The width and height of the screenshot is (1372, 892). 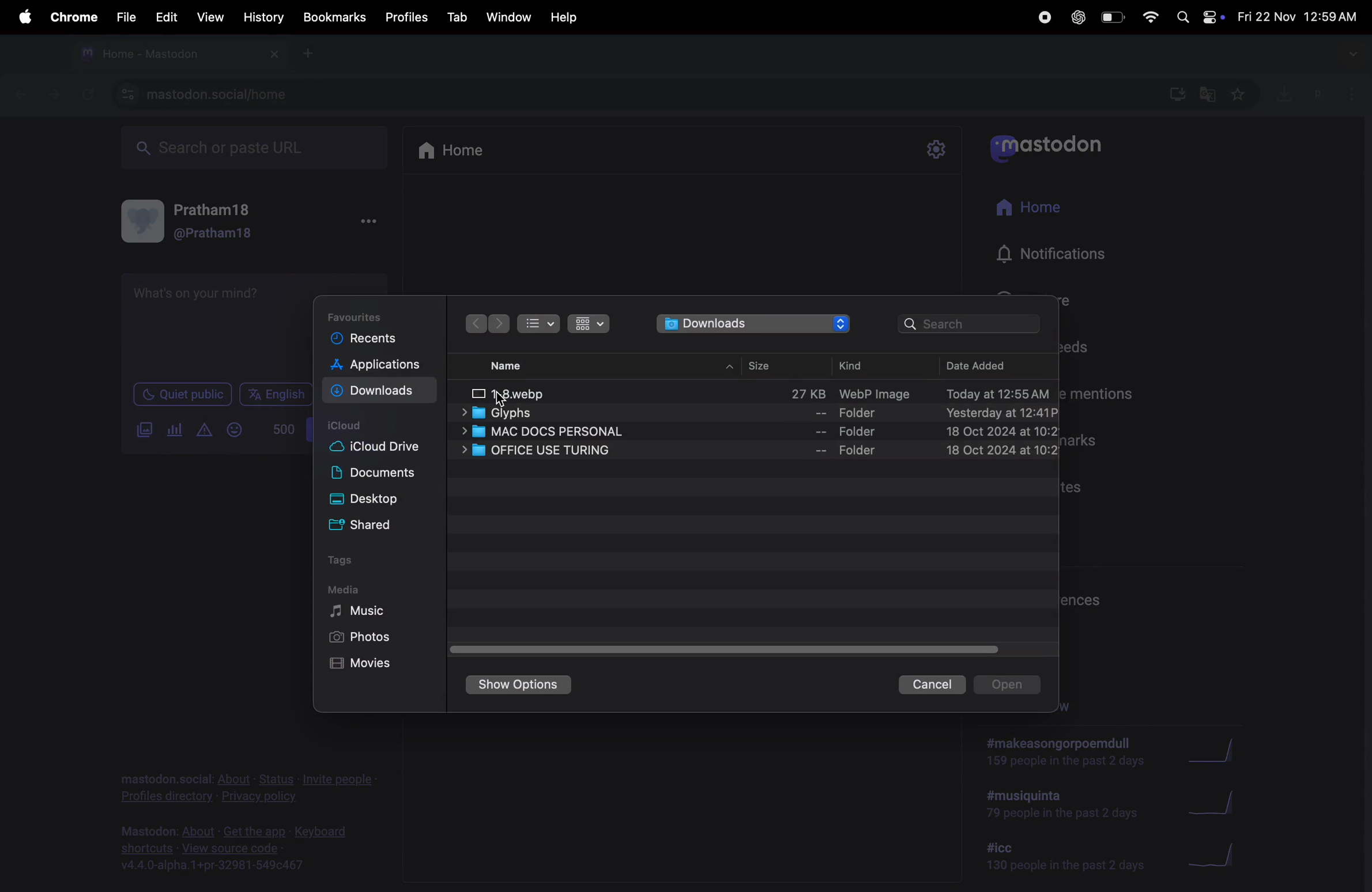 What do you see at coordinates (759, 412) in the screenshot?
I see `glyphs` at bounding box center [759, 412].